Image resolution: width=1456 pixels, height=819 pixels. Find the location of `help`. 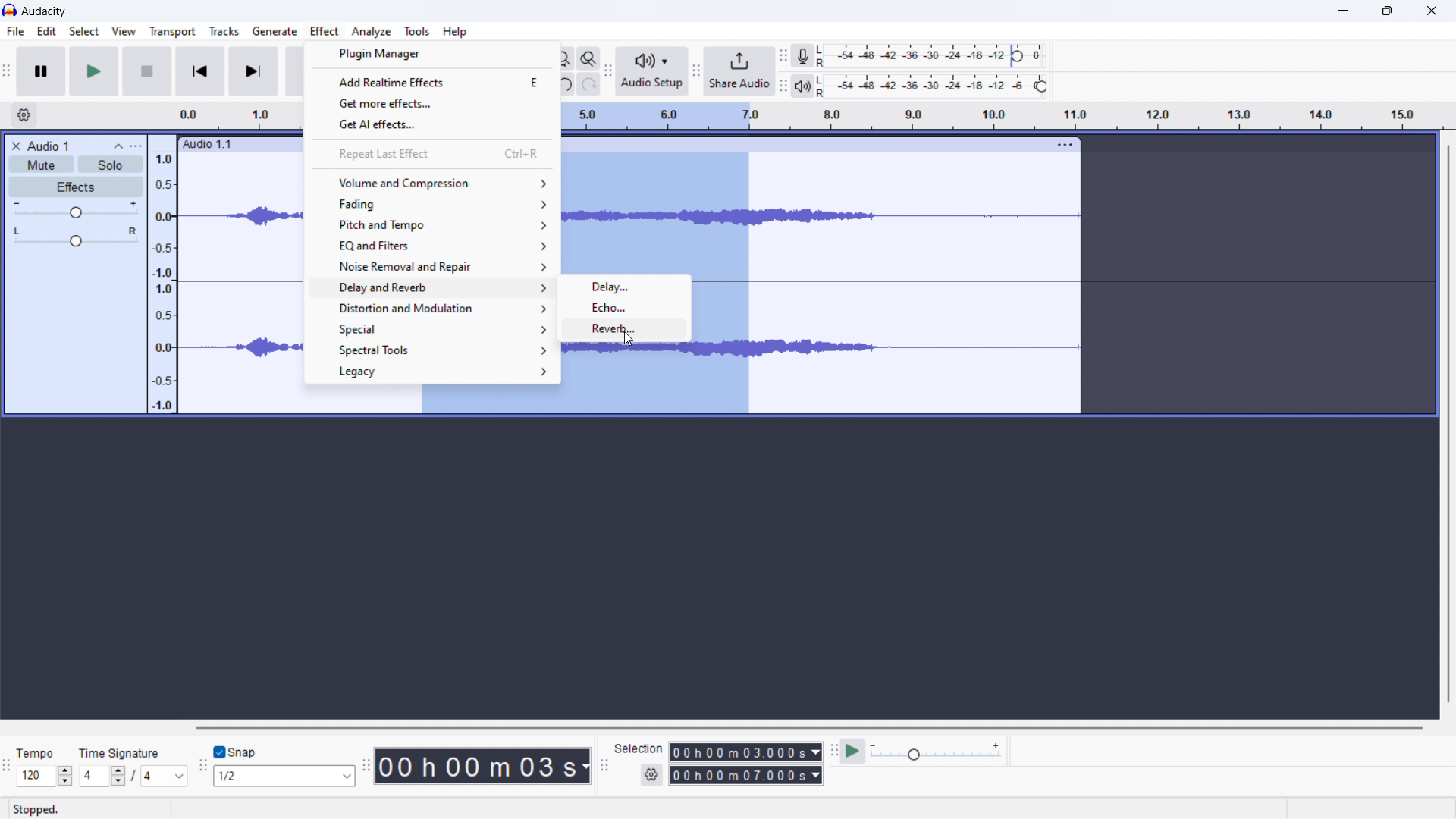

help is located at coordinates (453, 32).